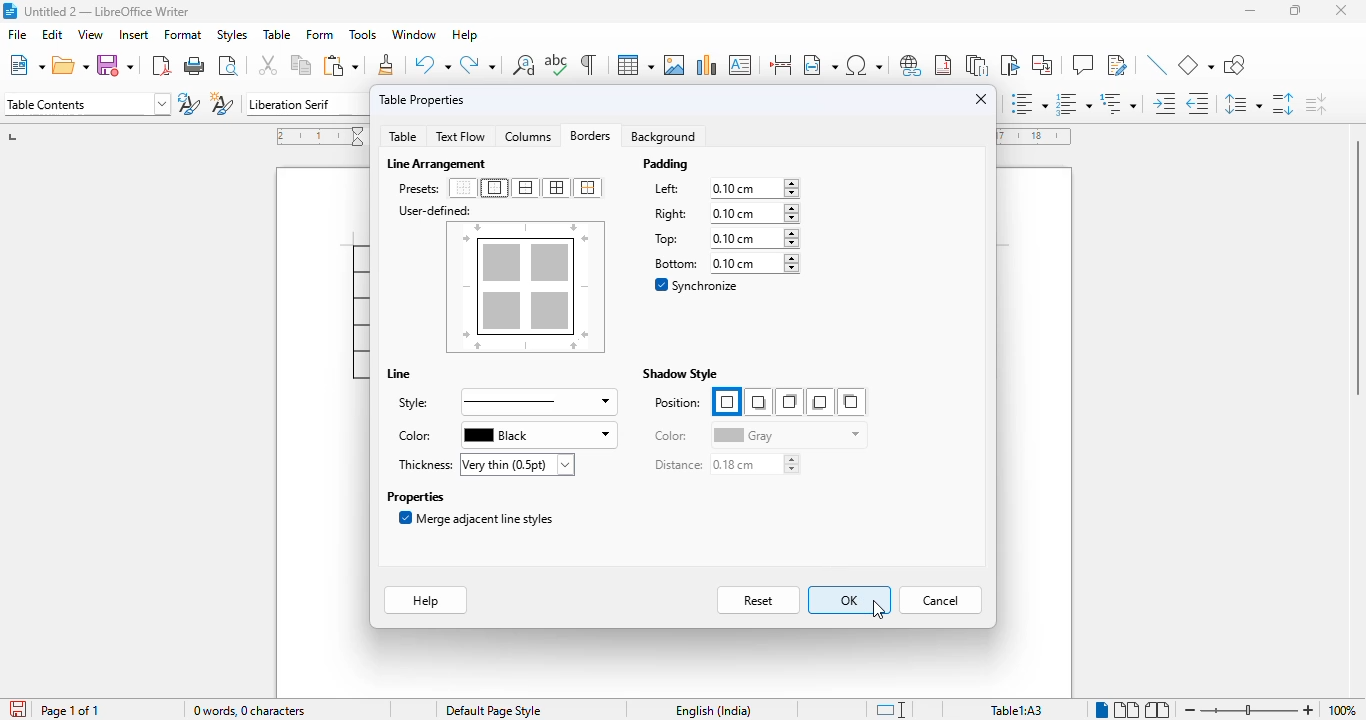 The height and width of the screenshot is (720, 1366). Describe the element at coordinates (484, 464) in the screenshot. I see `thickness: very thin (0.5pt)` at that location.